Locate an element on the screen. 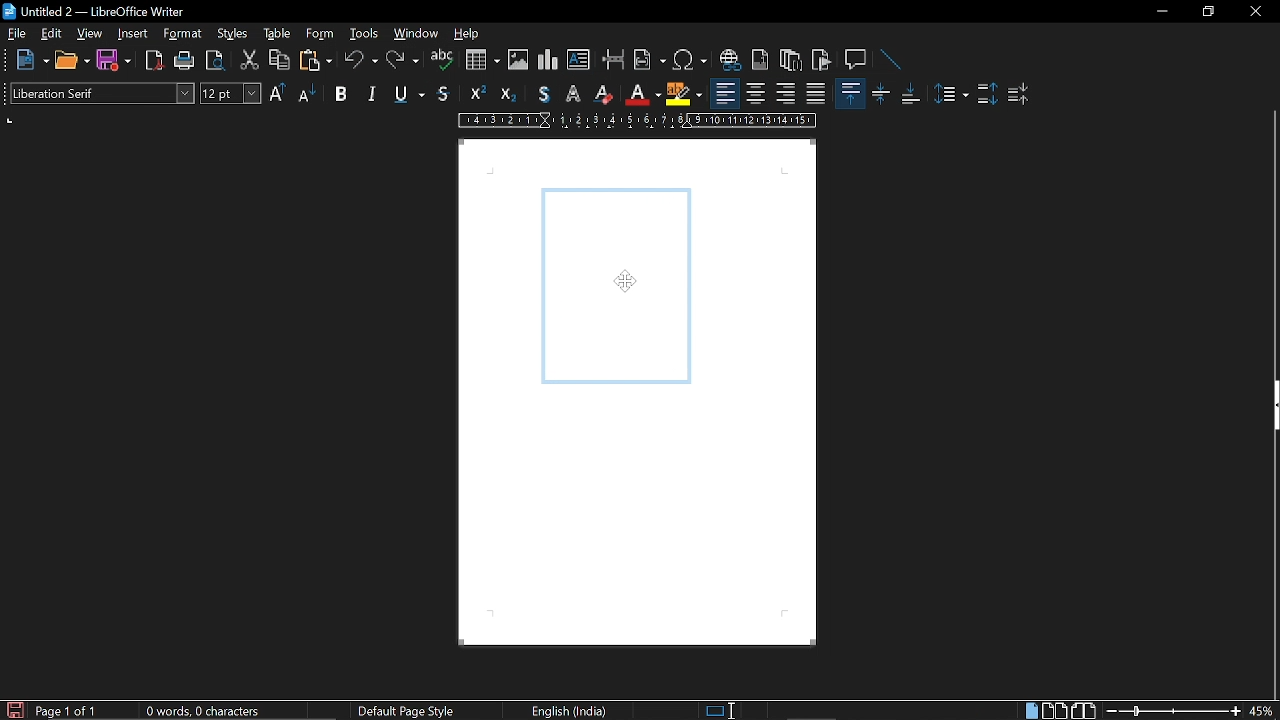 The height and width of the screenshot is (720, 1280). windows is located at coordinates (416, 35).